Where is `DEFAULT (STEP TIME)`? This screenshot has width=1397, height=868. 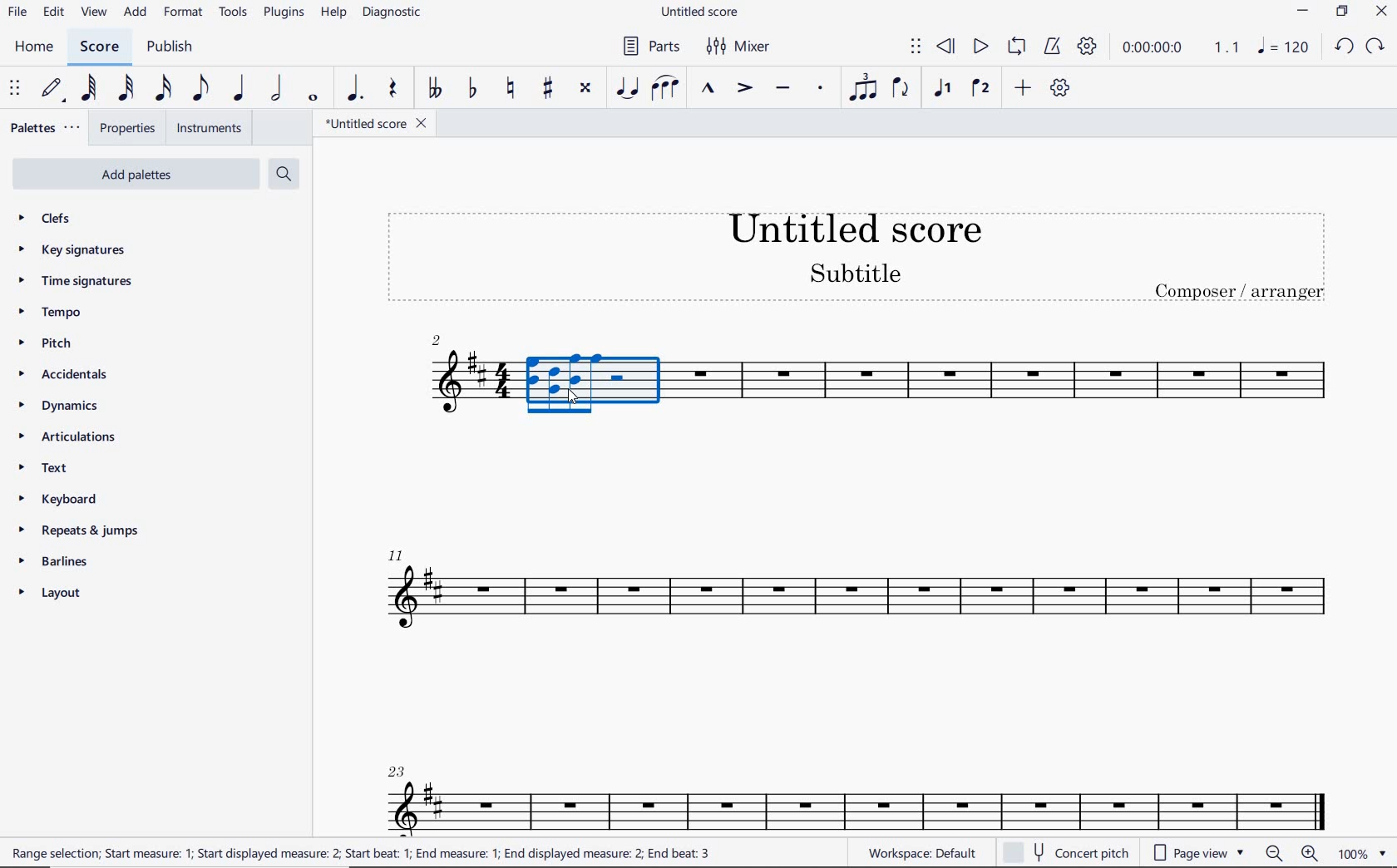
DEFAULT (STEP TIME) is located at coordinates (54, 89).